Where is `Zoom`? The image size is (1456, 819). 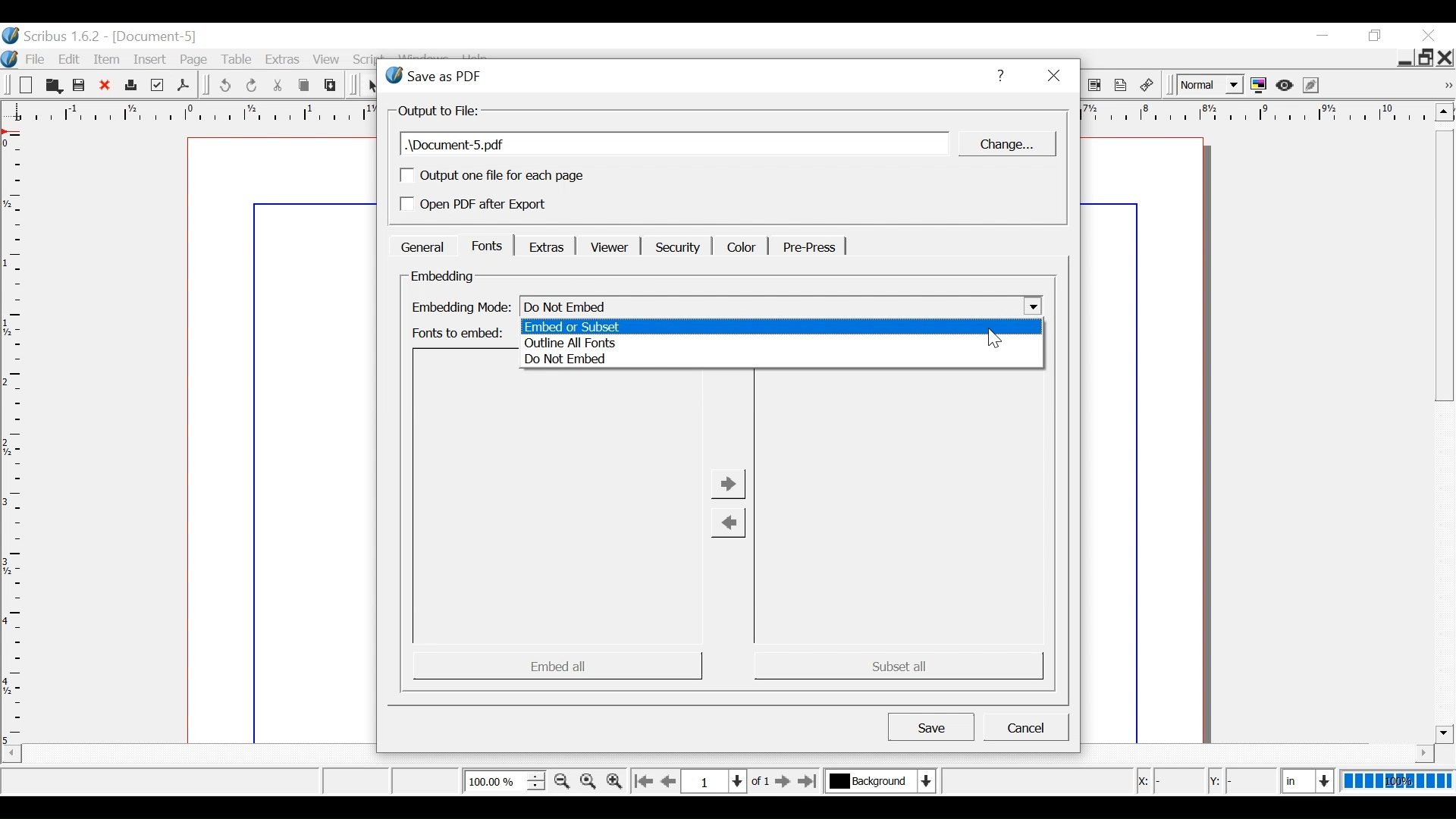
Zoom is located at coordinates (504, 780).